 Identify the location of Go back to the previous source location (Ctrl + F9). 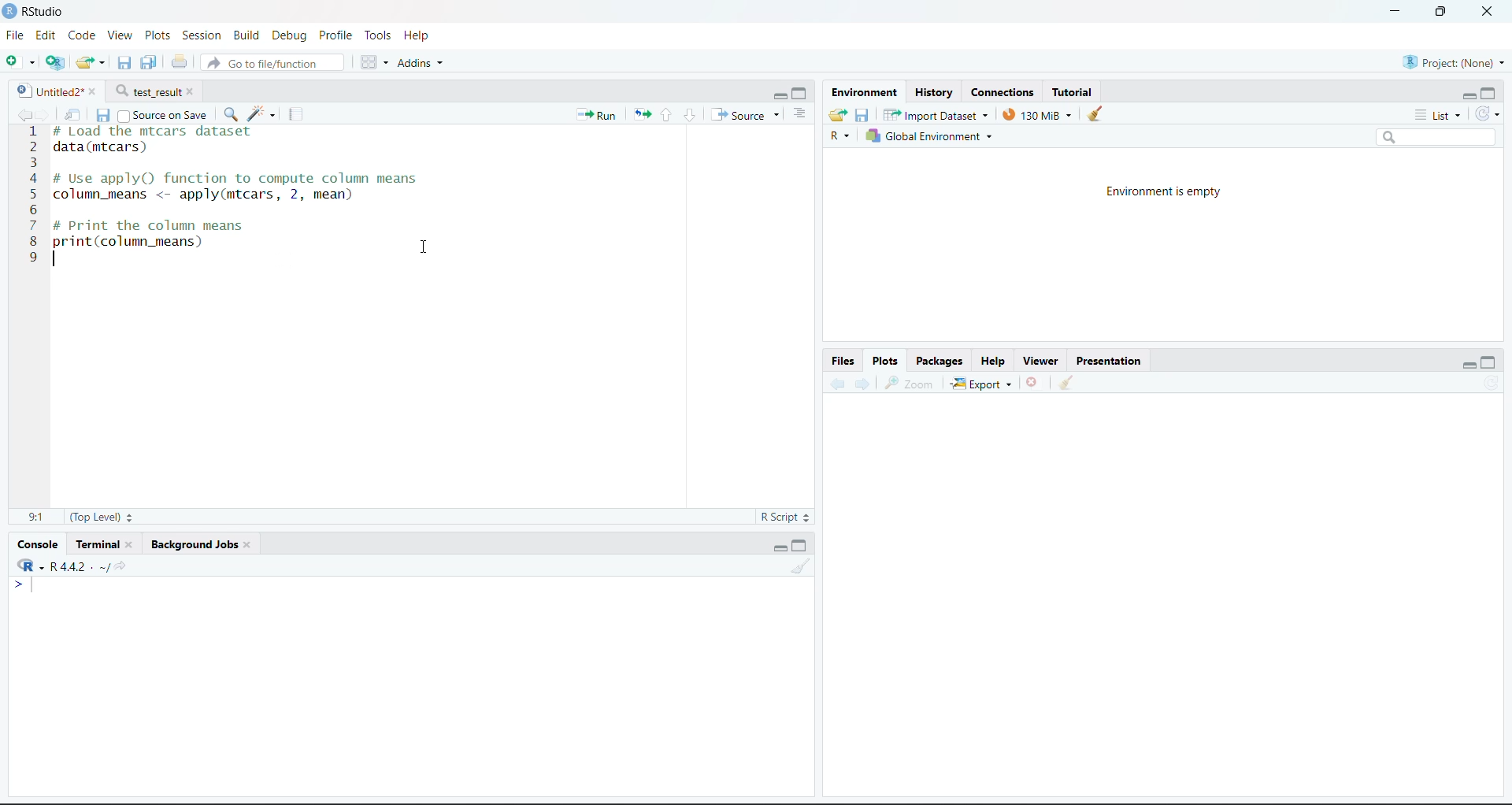
(20, 113).